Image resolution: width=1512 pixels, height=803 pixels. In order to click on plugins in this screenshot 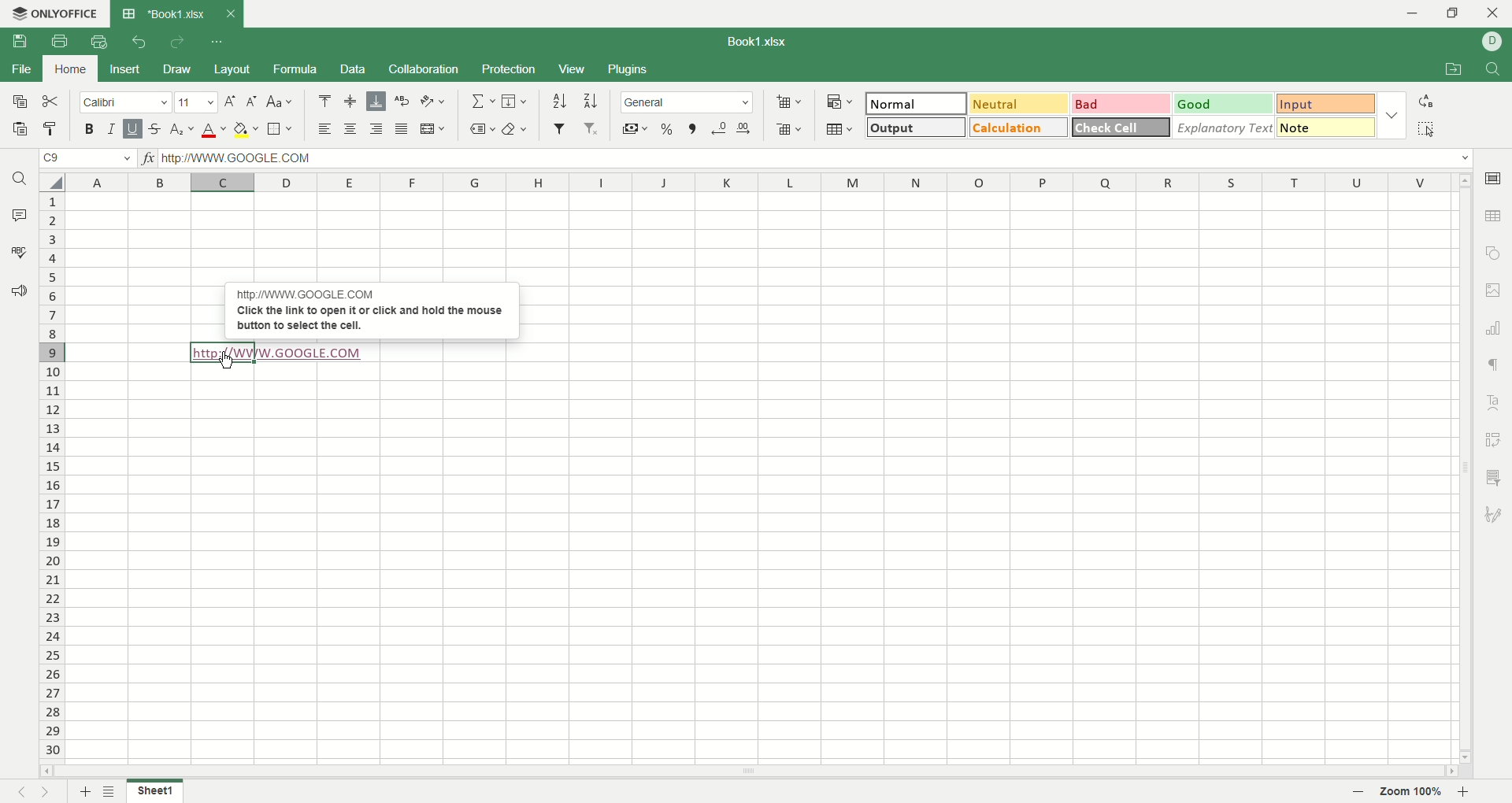, I will do `click(628, 68)`.